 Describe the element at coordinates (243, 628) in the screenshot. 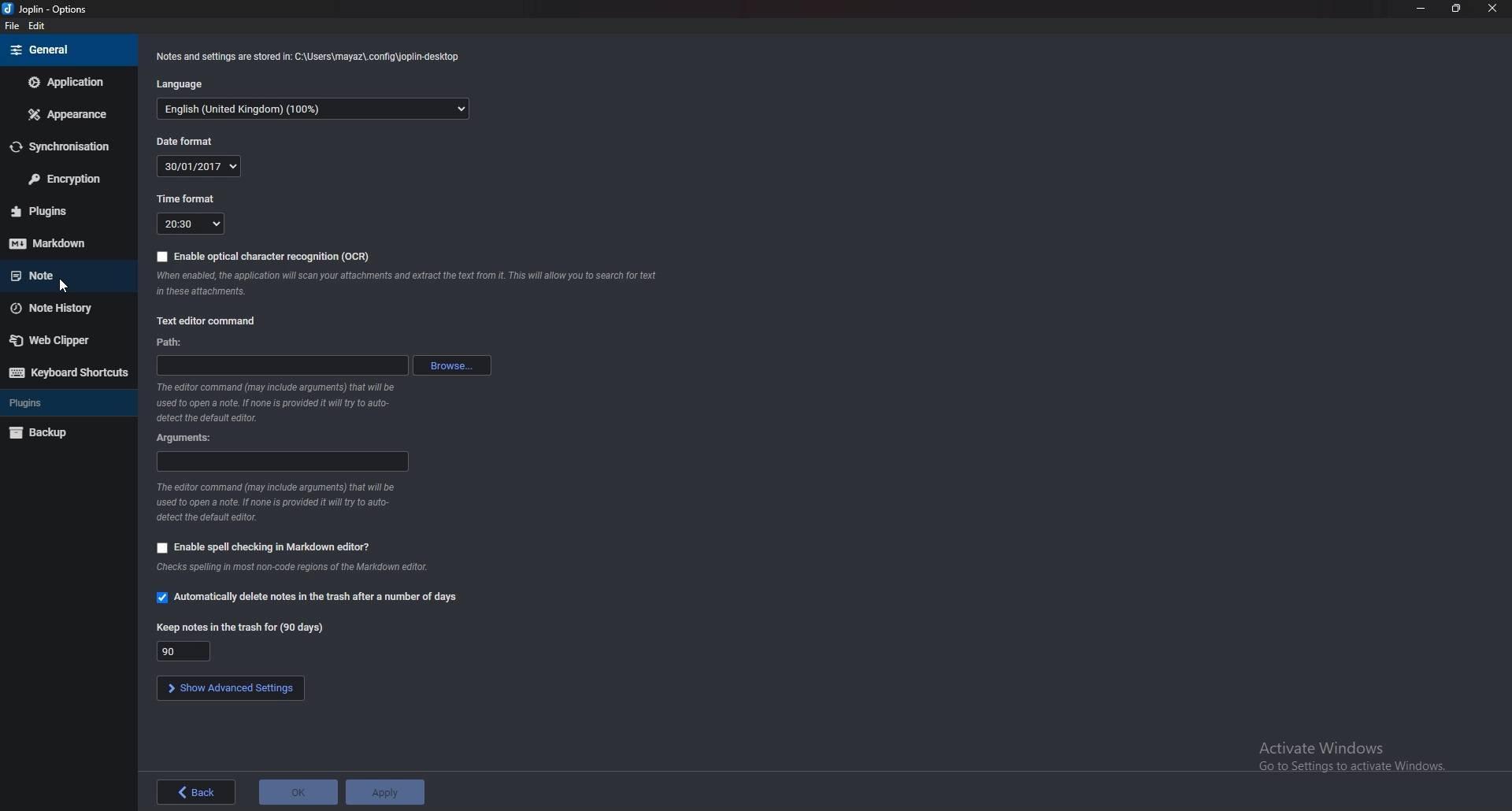

I see `Keep notes in the trash for` at that location.